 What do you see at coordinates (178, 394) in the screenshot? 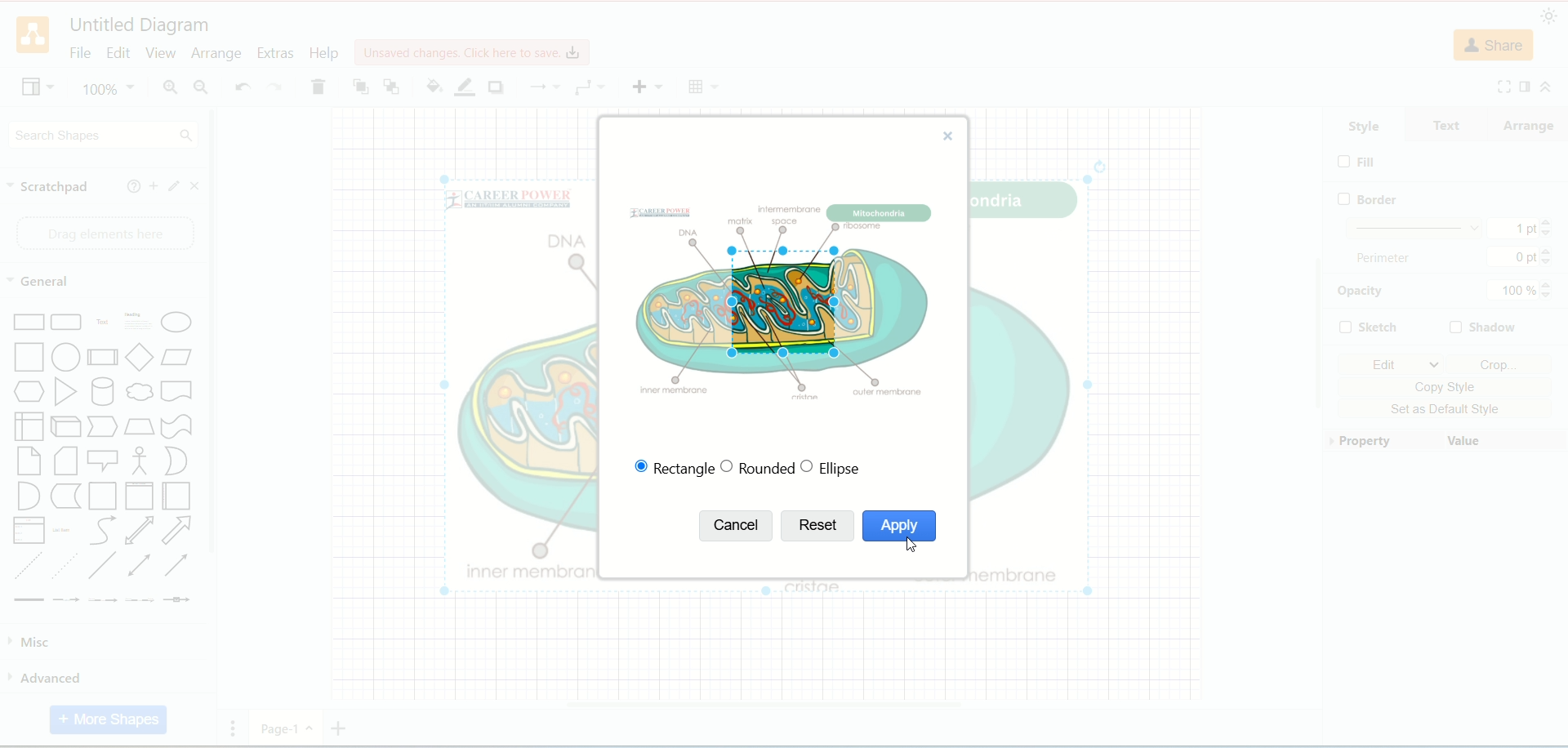
I see `Document ` at bounding box center [178, 394].